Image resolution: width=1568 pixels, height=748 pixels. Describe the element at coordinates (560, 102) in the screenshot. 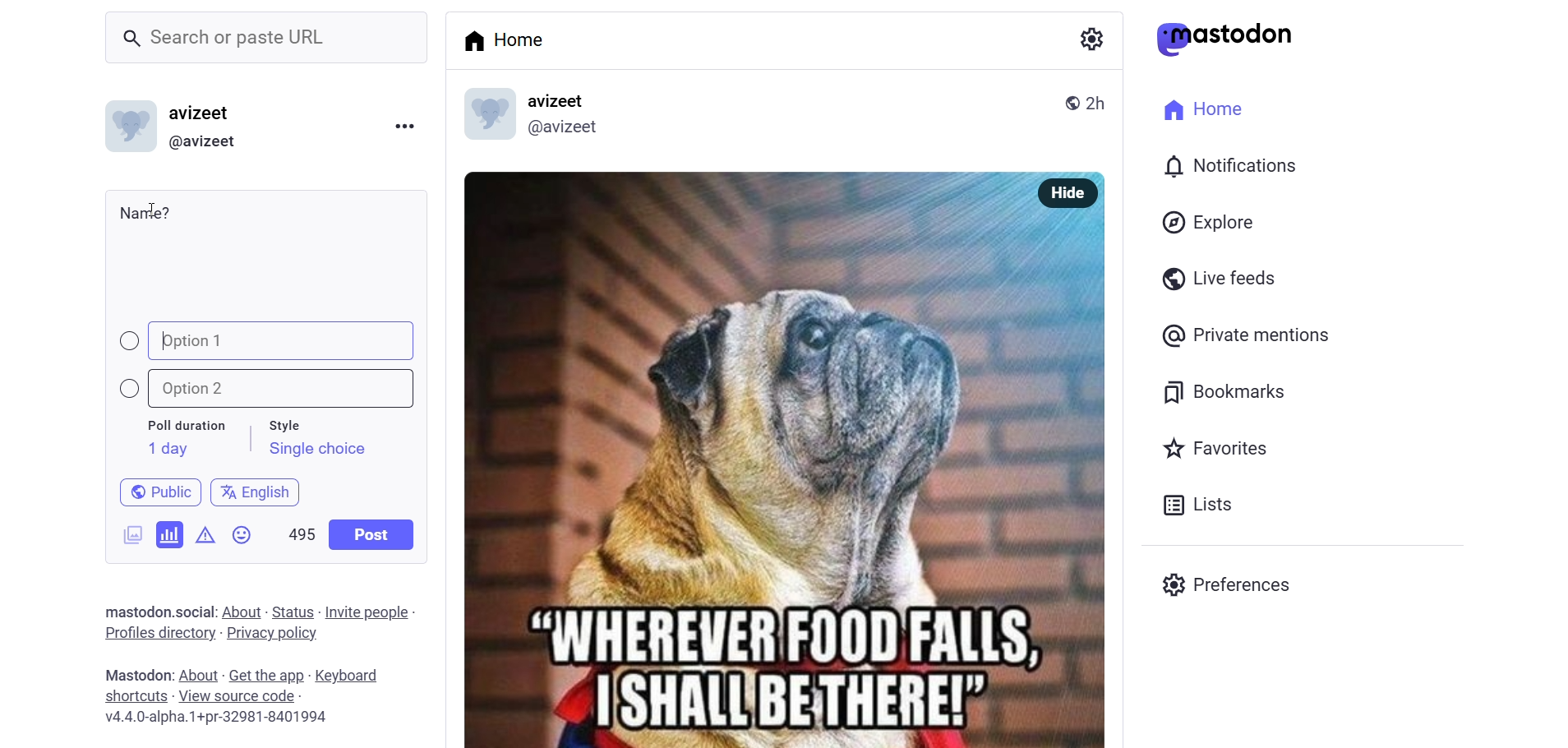

I see `avizeet` at that location.